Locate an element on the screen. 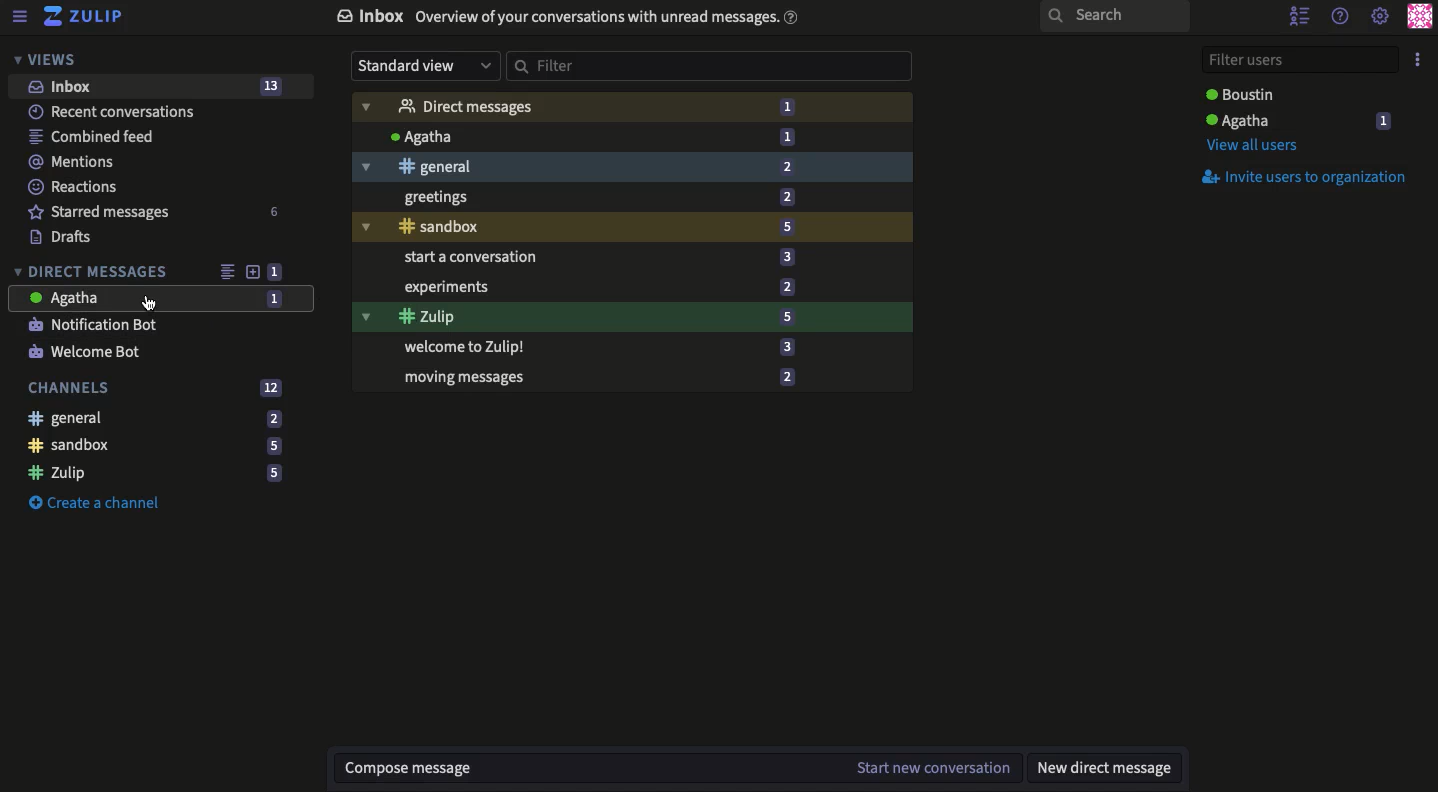 The width and height of the screenshot is (1438, 792). Filter users is located at coordinates (1299, 58).